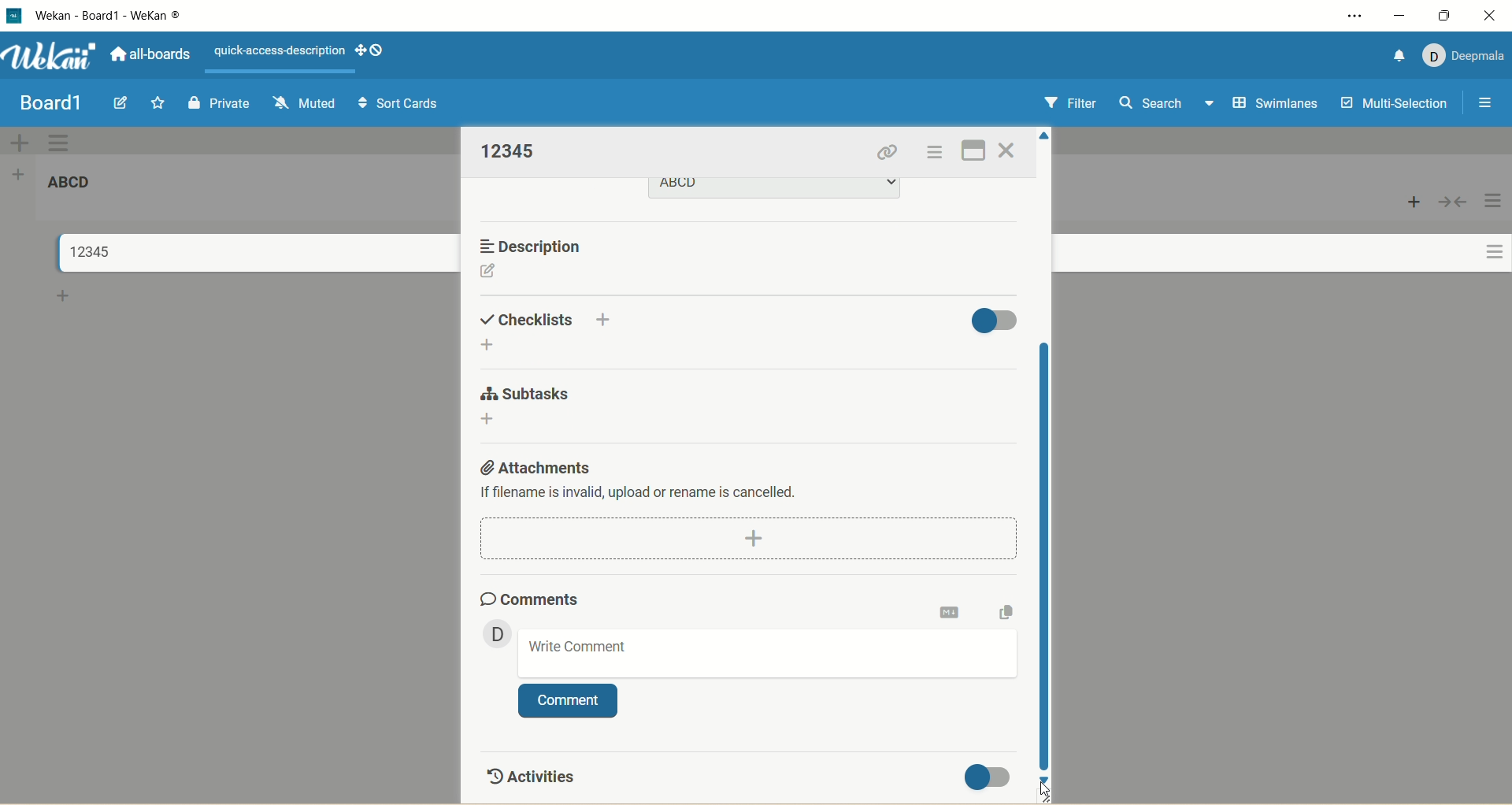 This screenshot has width=1512, height=805. What do you see at coordinates (753, 539) in the screenshot?
I see `dd` at bounding box center [753, 539].